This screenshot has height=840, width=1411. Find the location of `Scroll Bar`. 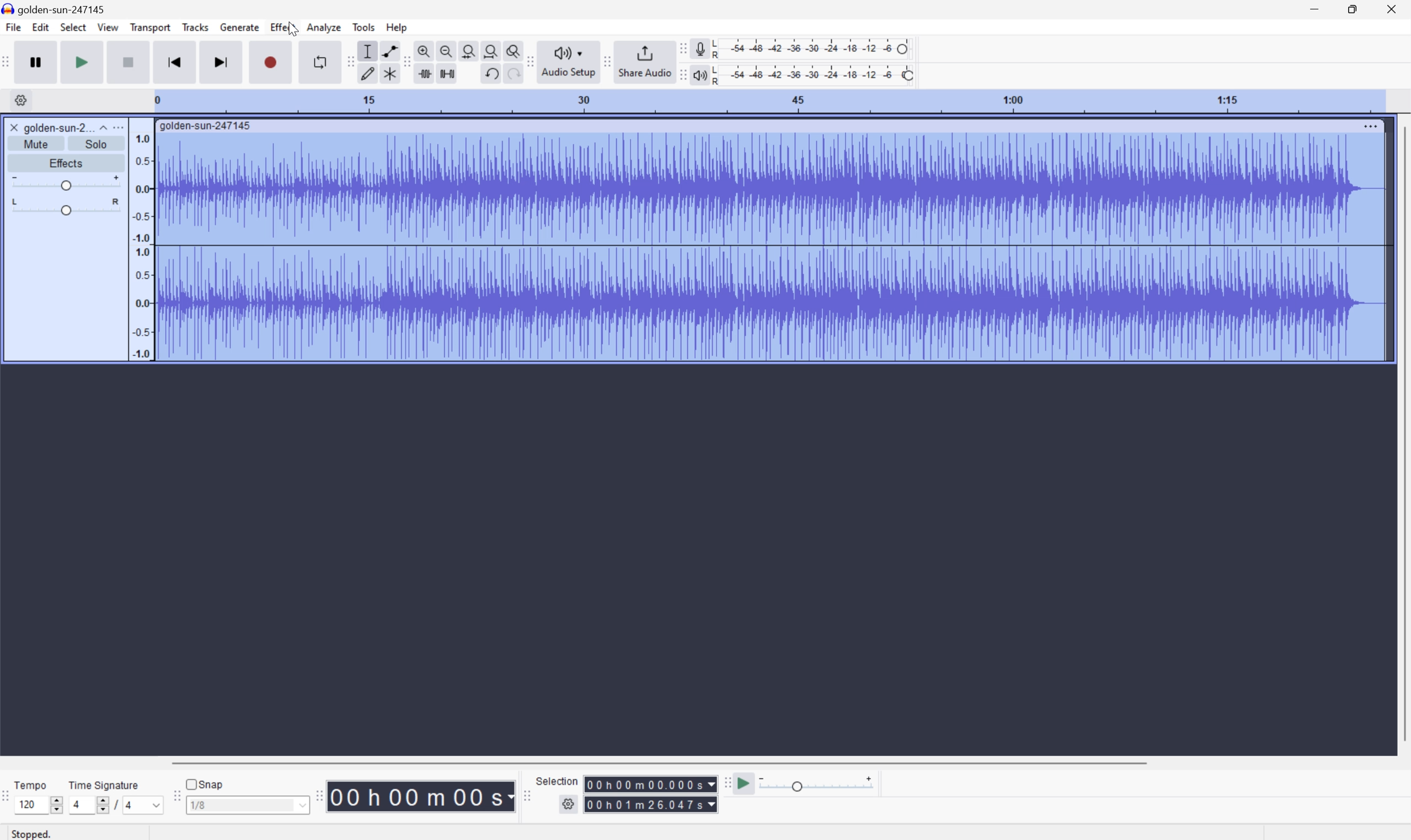

Scroll Bar is located at coordinates (1402, 434).